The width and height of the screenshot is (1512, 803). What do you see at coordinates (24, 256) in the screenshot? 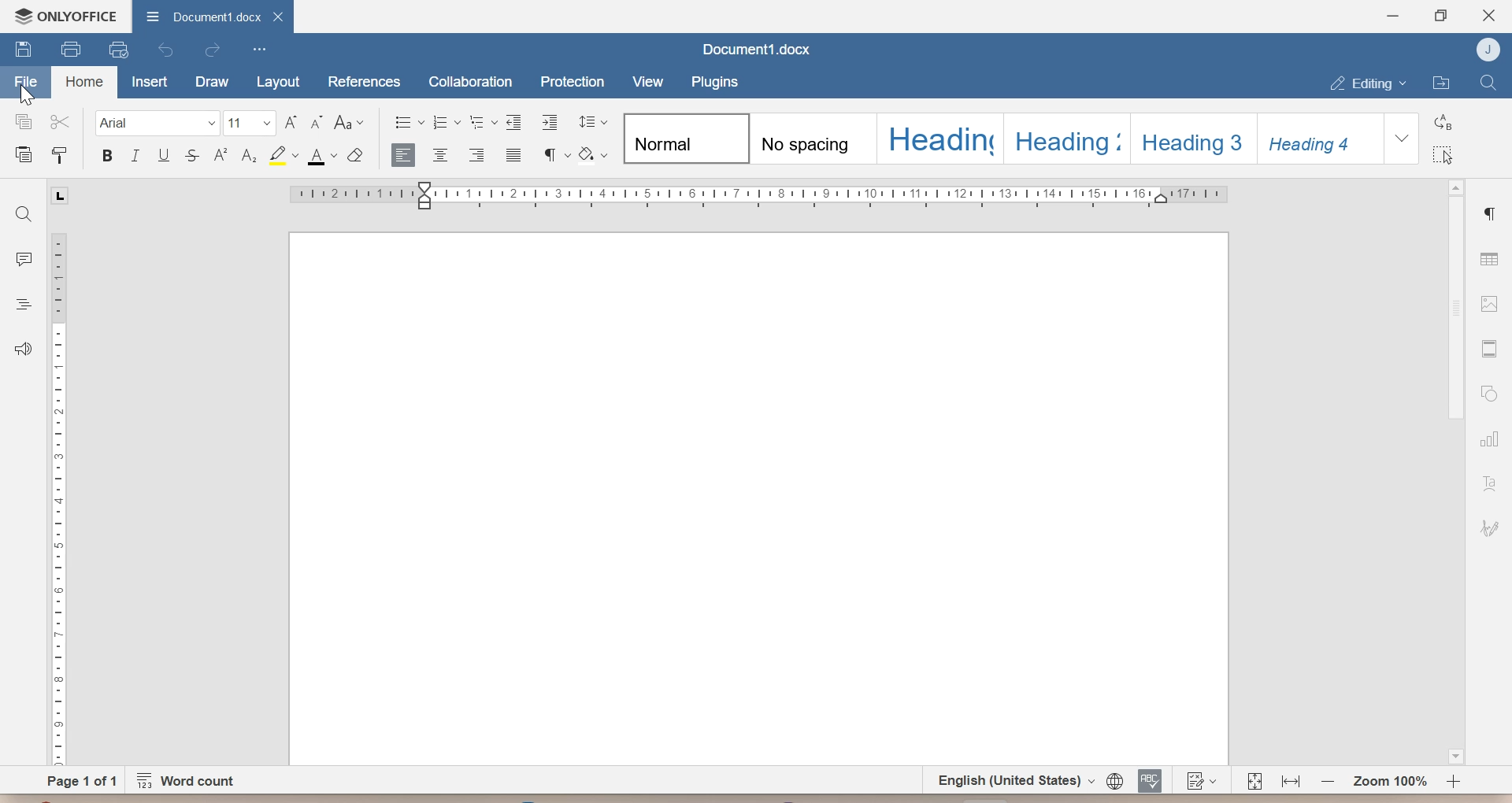
I see `Comments` at bounding box center [24, 256].